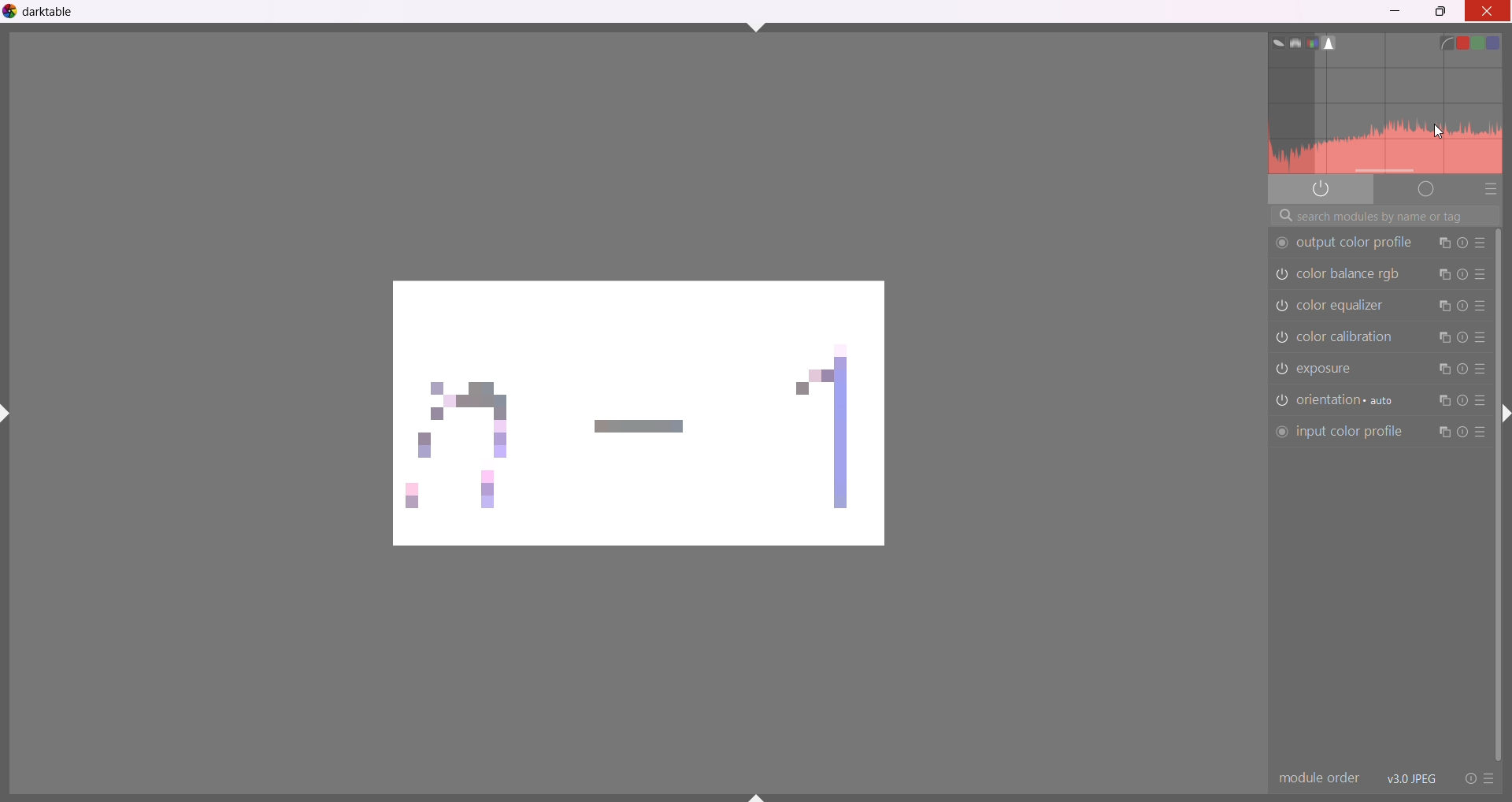  What do you see at coordinates (1480, 306) in the screenshot?
I see `presets` at bounding box center [1480, 306].